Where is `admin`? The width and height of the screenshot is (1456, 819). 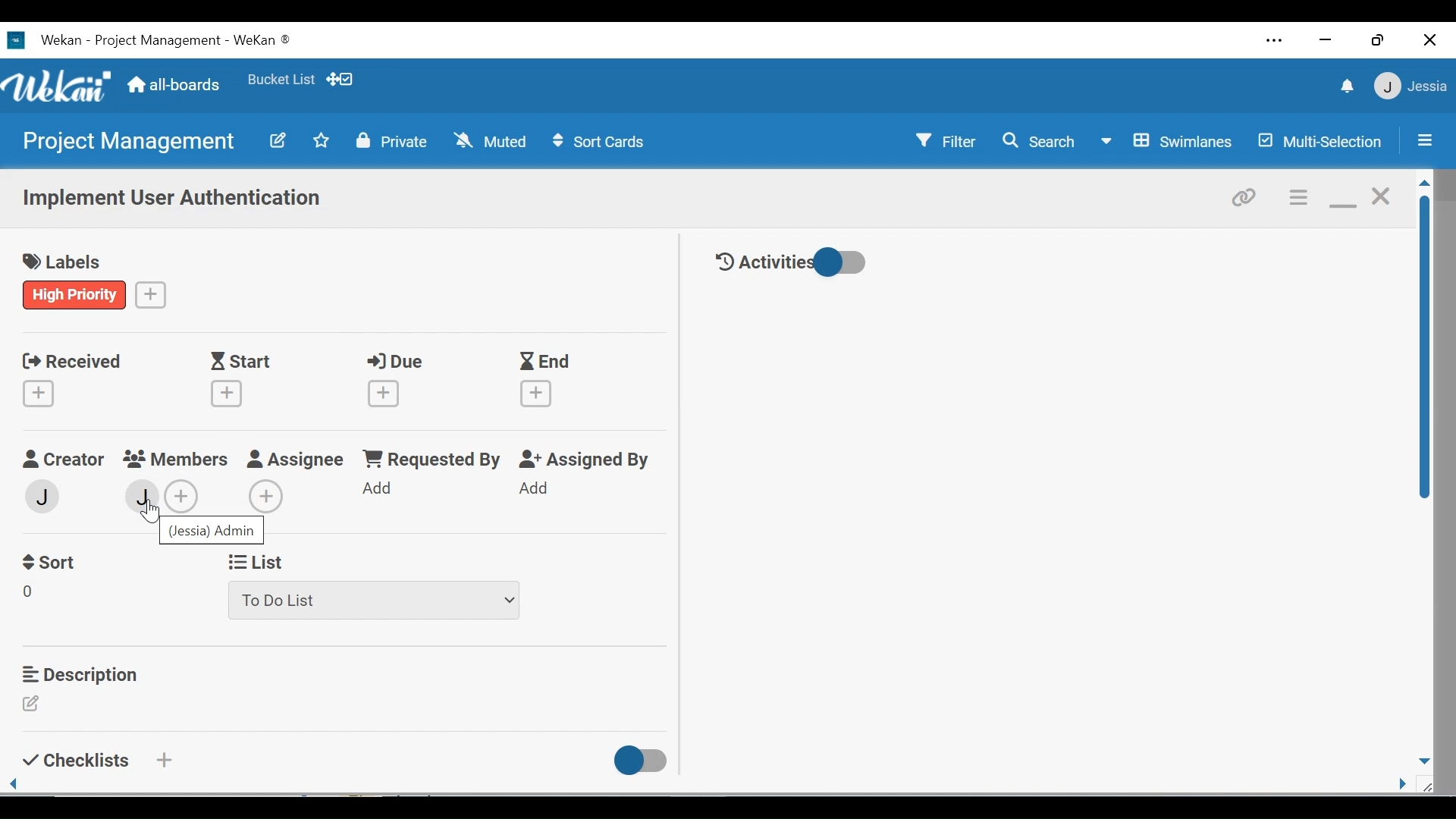 admin is located at coordinates (142, 497).